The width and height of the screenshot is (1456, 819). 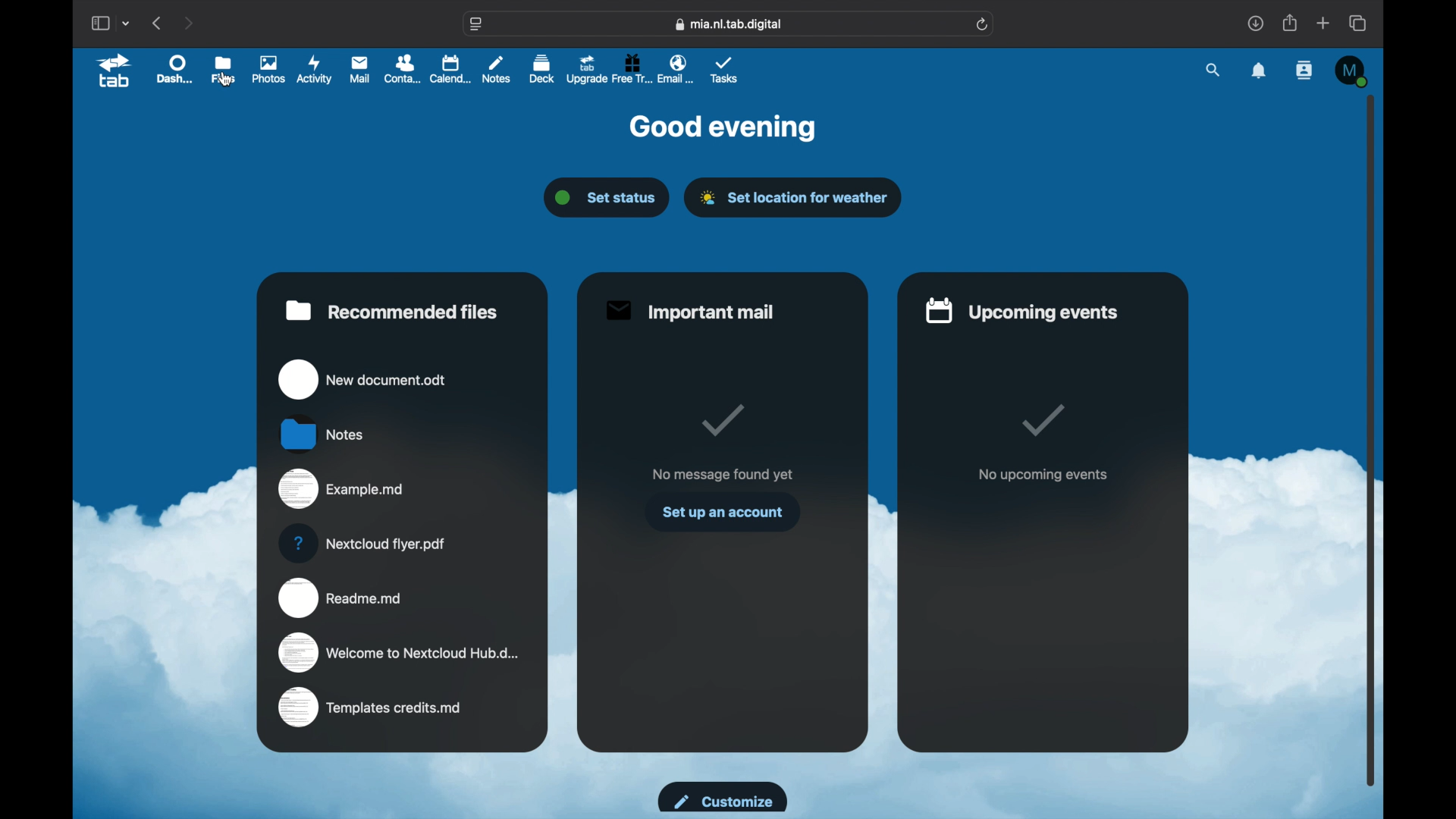 I want to click on set up an account , so click(x=723, y=513).